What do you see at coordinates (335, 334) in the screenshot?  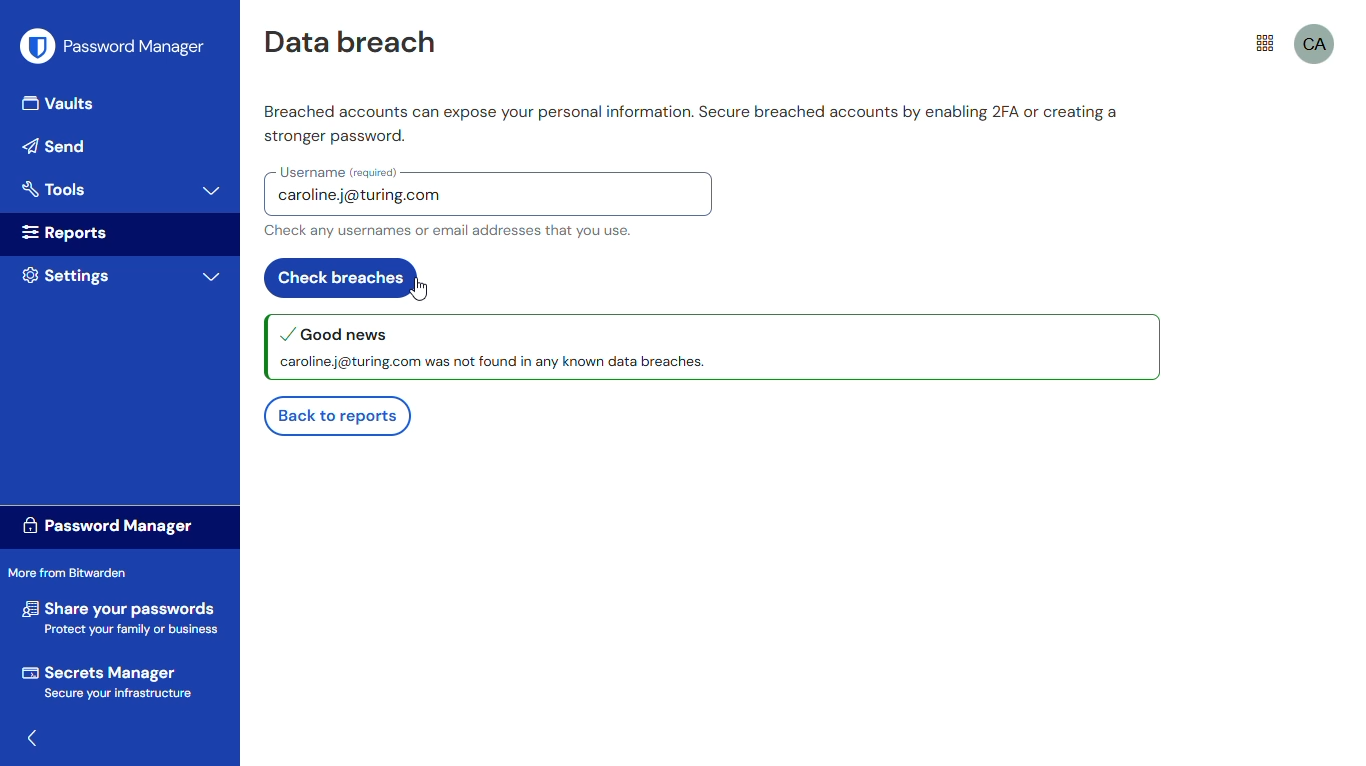 I see `good news` at bounding box center [335, 334].